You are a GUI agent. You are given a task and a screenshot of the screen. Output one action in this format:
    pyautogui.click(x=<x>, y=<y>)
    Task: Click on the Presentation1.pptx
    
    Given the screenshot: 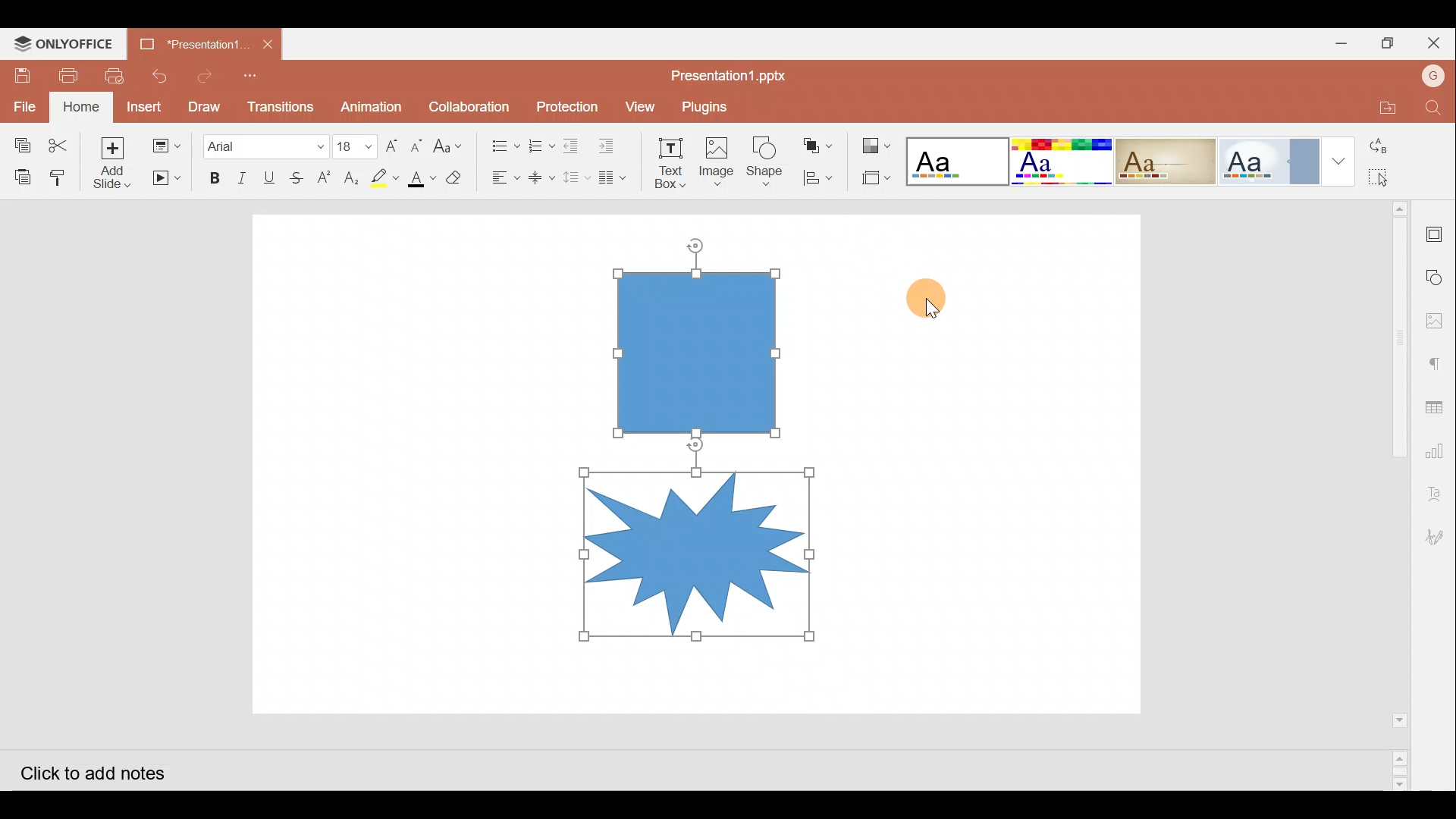 What is the action you would take?
    pyautogui.click(x=733, y=73)
    